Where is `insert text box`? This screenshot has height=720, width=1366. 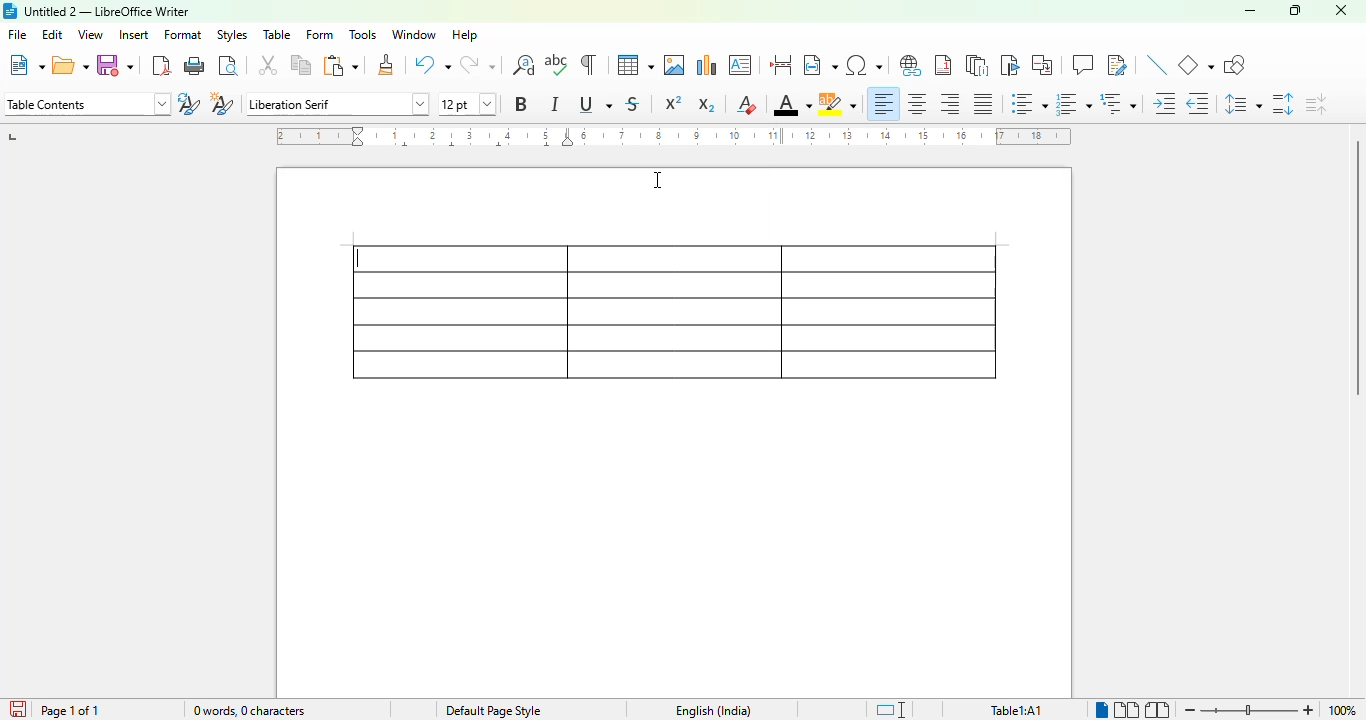
insert text box is located at coordinates (741, 64).